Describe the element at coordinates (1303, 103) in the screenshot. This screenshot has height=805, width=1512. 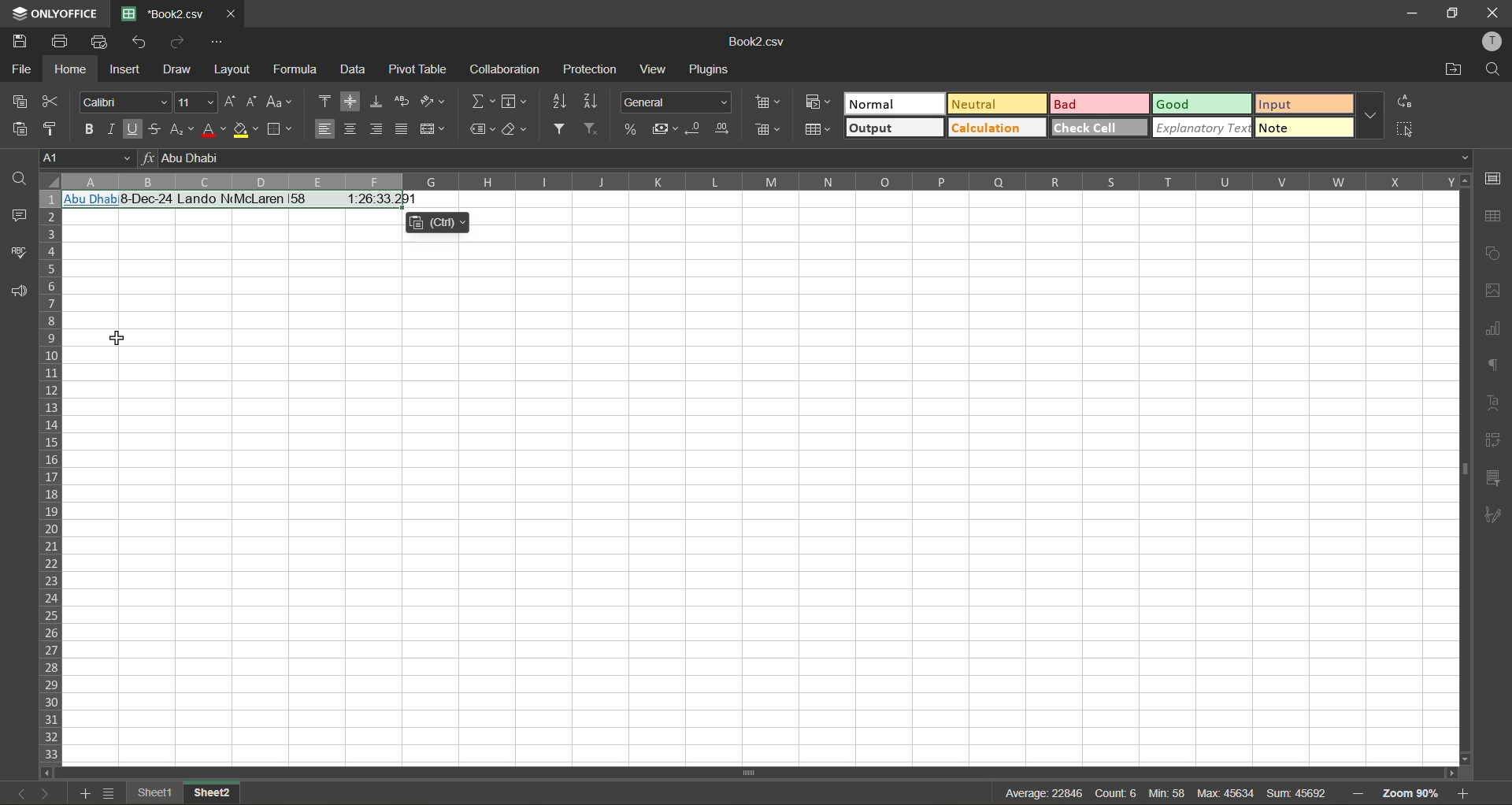
I see `input` at that location.